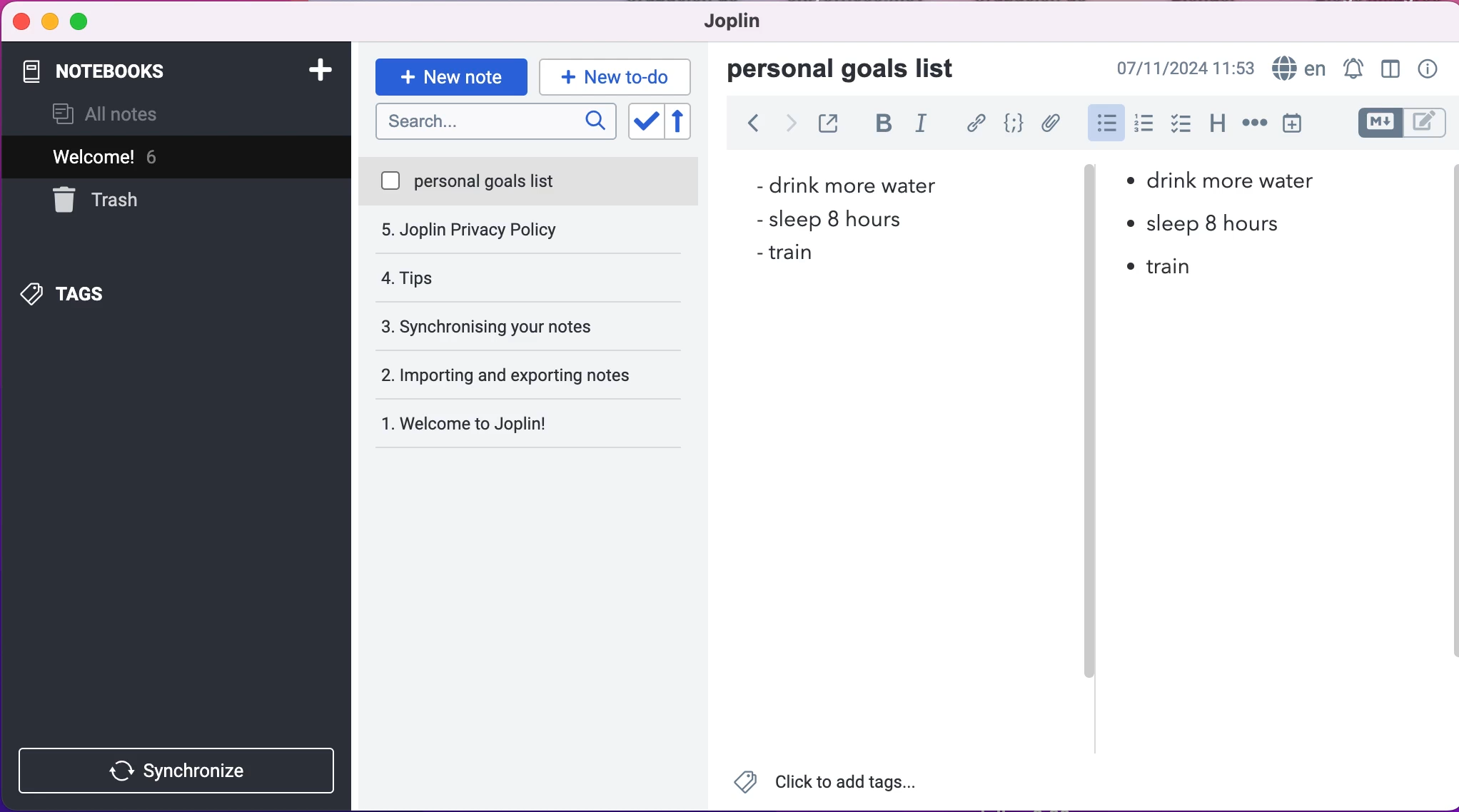 The height and width of the screenshot is (812, 1459). I want to click on synchronising your notes, so click(530, 278).